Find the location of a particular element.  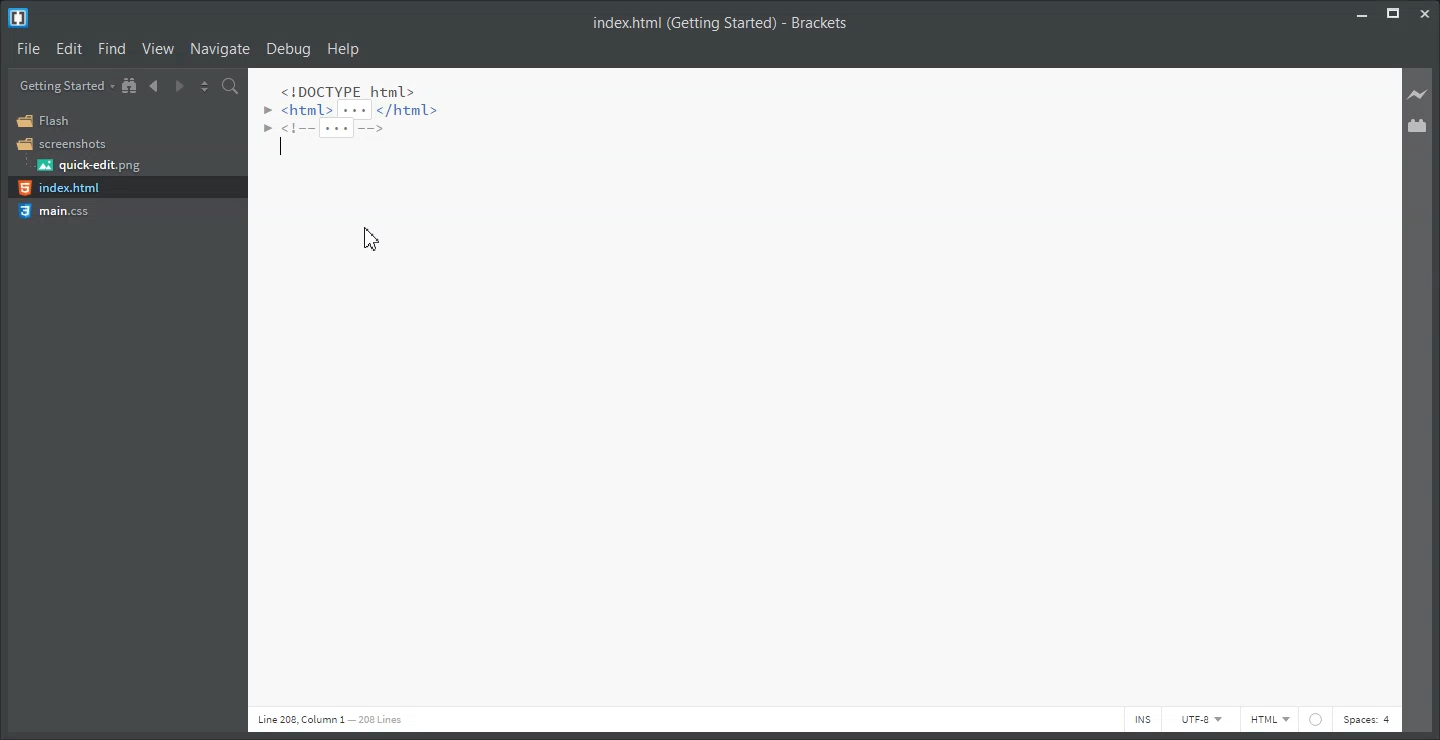

Spaces: 4 is located at coordinates (1367, 720).